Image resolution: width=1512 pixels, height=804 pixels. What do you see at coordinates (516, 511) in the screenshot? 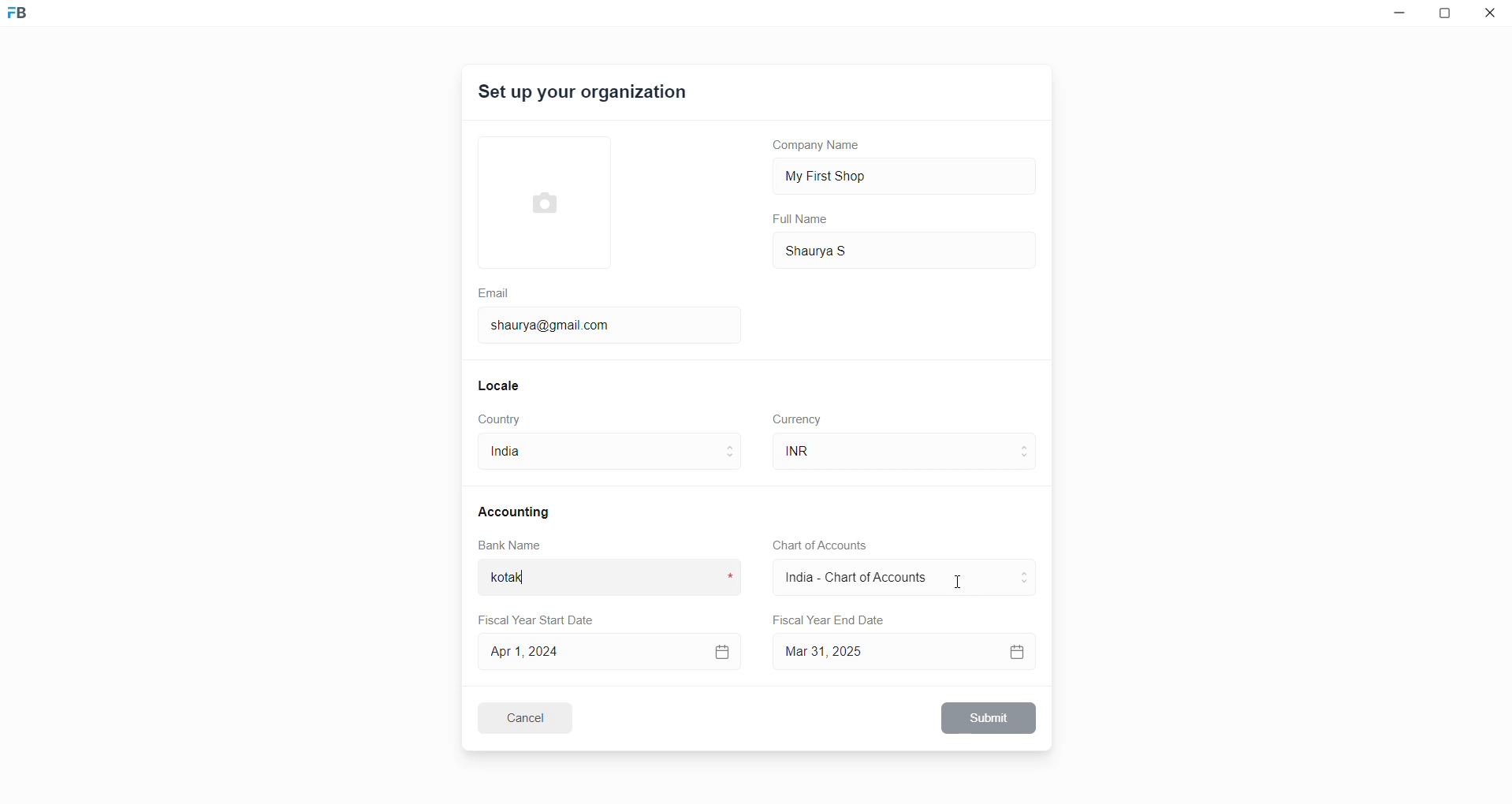
I see `Accounting` at bounding box center [516, 511].